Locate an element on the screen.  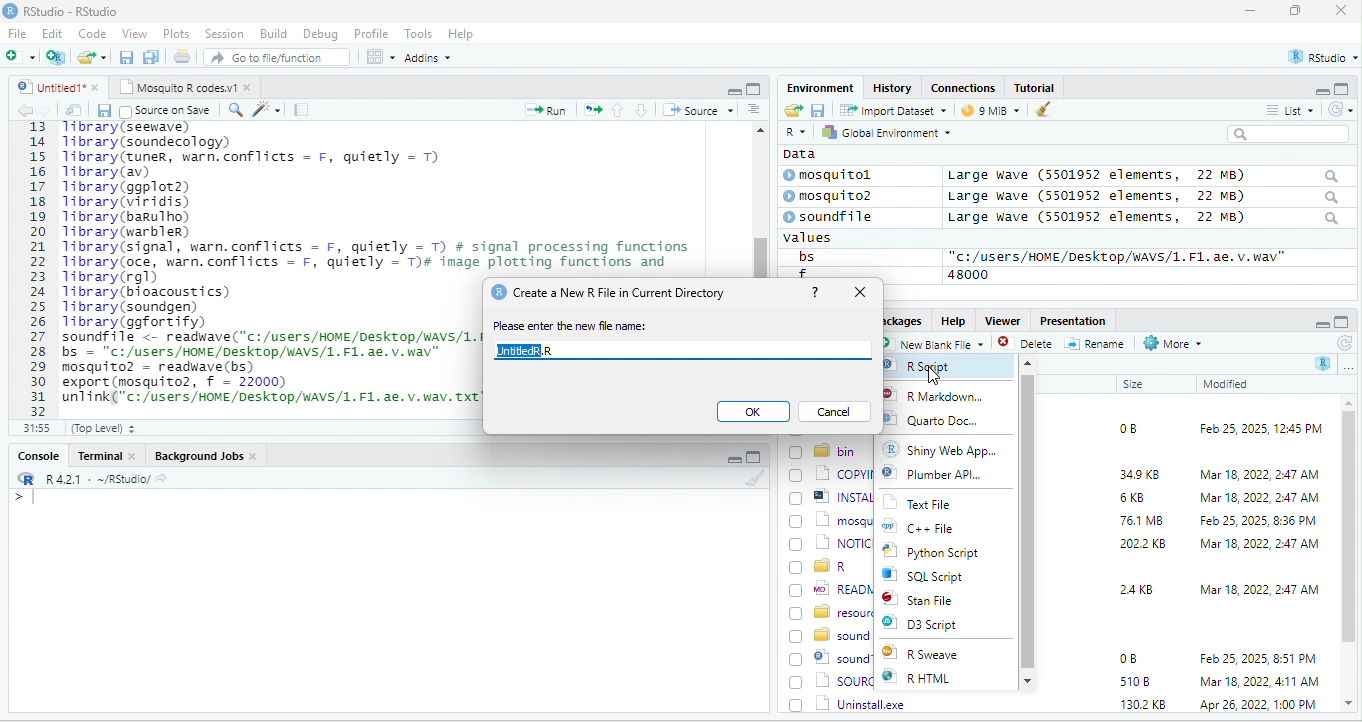
Packages is located at coordinates (901, 320).